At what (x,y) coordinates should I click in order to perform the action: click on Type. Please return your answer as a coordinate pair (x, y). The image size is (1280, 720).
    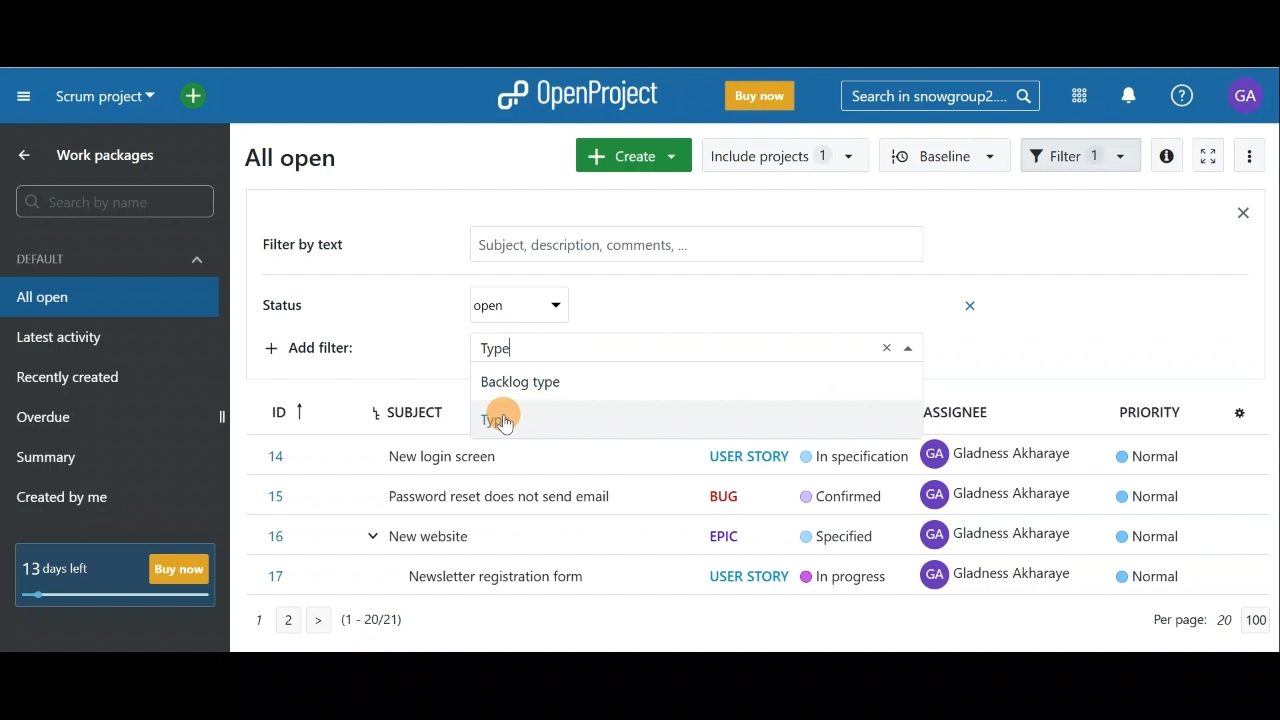
    Looking at the image, I should click on (498, 418).